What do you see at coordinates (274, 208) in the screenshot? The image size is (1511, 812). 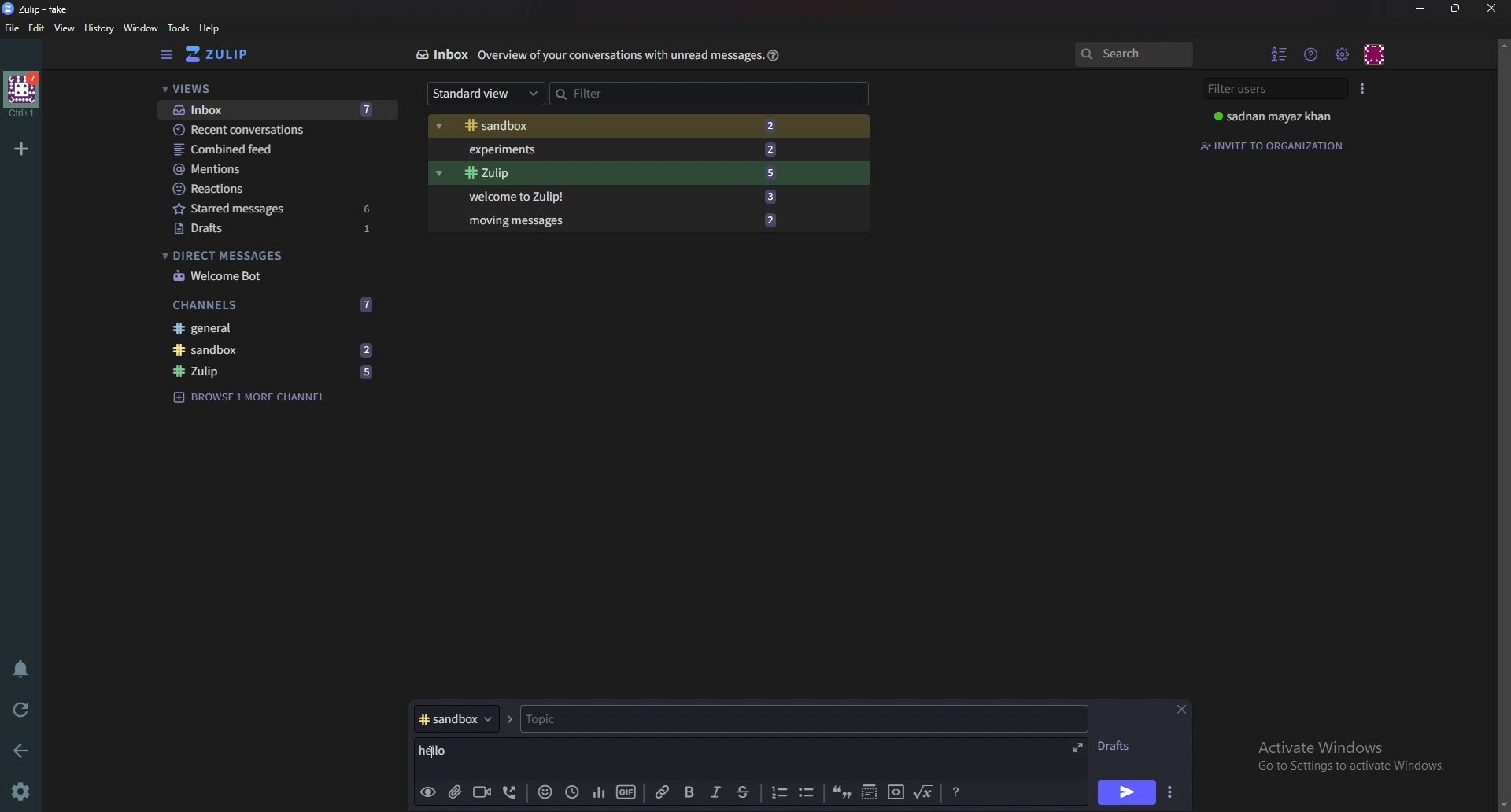 I see `starred Messages 6` at bounding box center [274, 208].